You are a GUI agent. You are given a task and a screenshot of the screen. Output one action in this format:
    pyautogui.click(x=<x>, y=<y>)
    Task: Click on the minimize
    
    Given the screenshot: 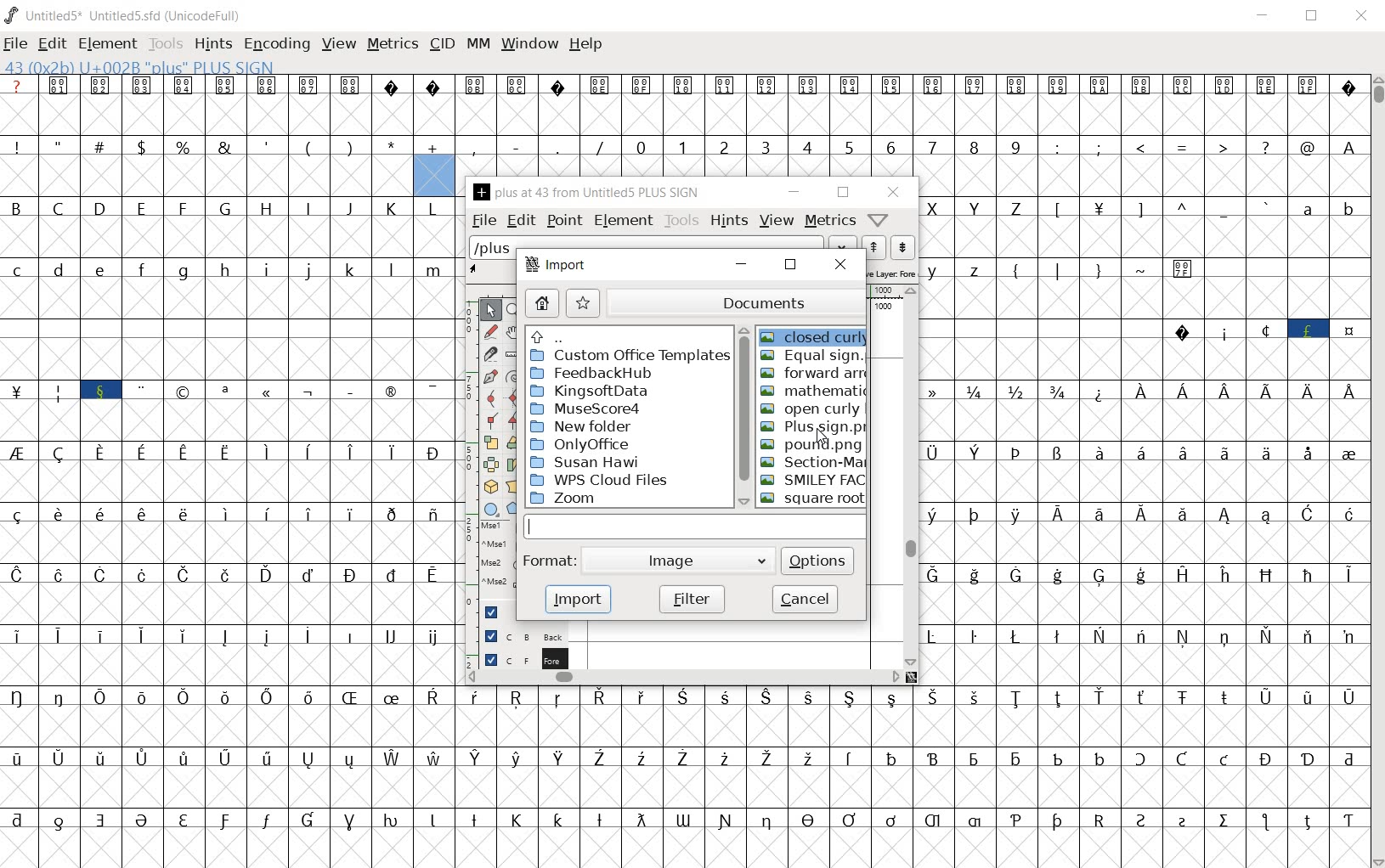 What is the action you would take?
    pyautogui.click(x=743, y=266)
    